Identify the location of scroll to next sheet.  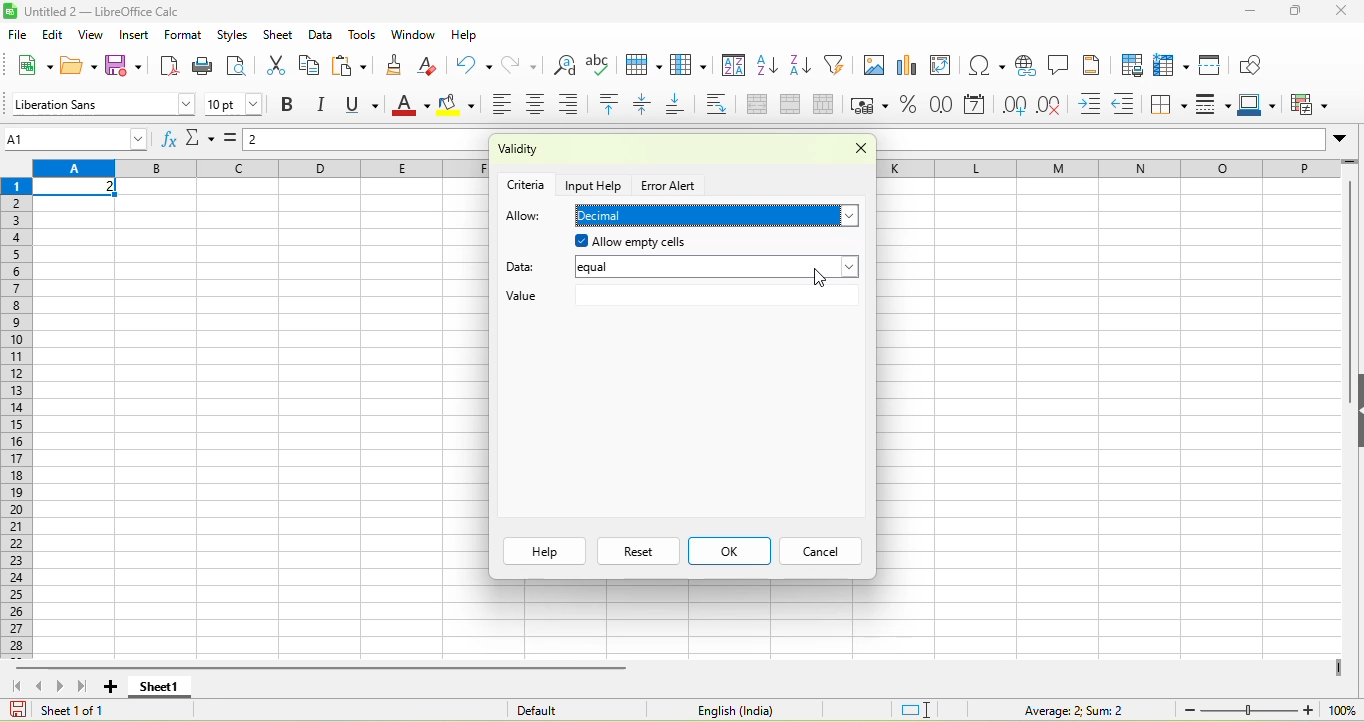
(63, 687).